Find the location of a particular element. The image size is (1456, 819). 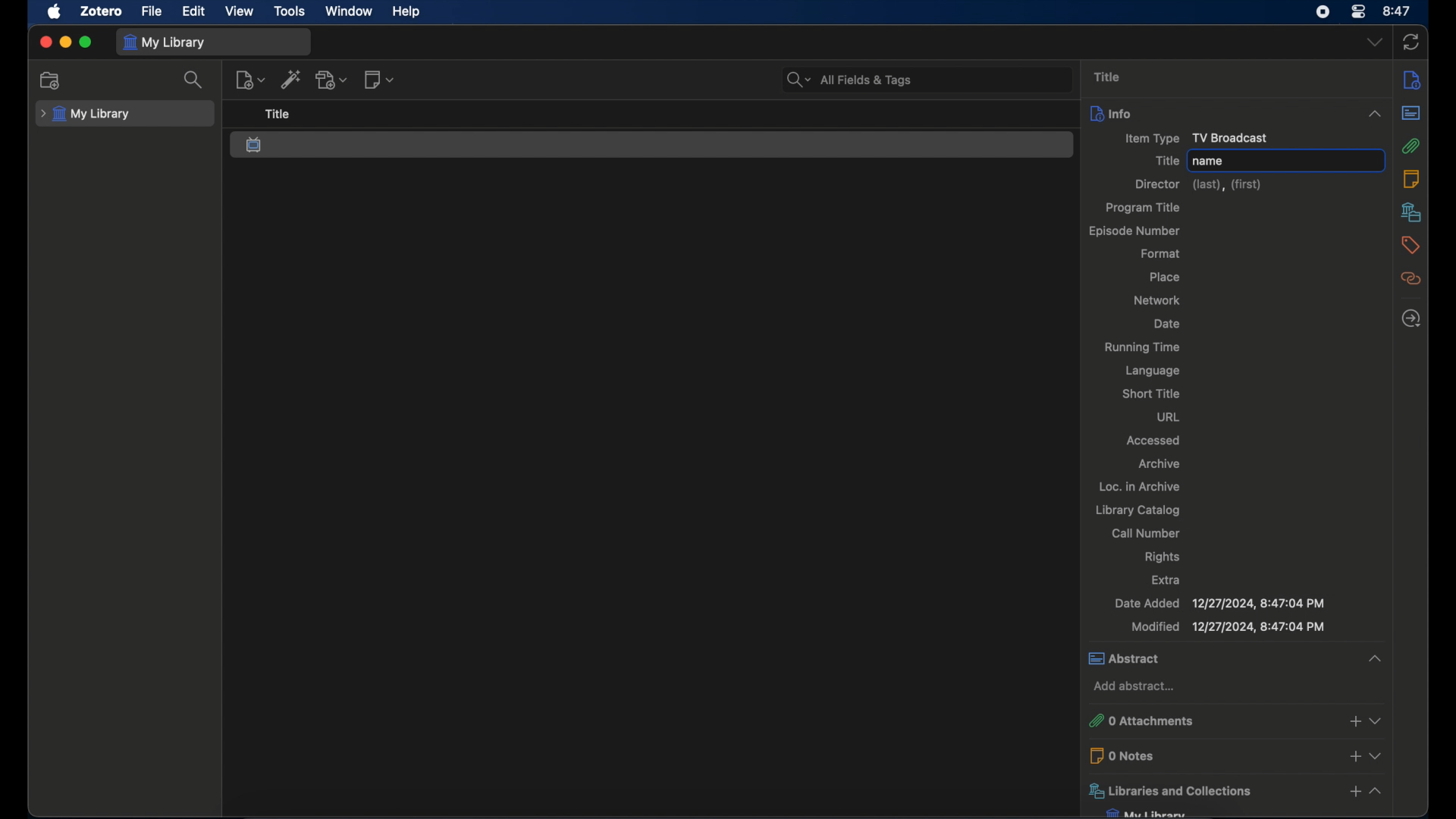

edit is located at coordinates (195, 12).